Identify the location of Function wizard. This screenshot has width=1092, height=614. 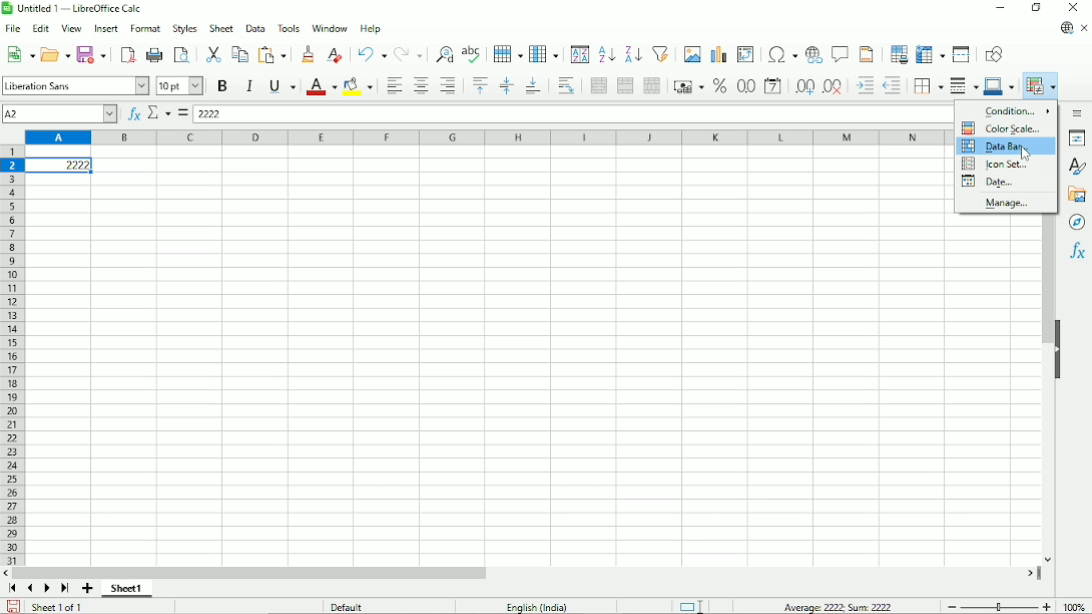
(134, 114).